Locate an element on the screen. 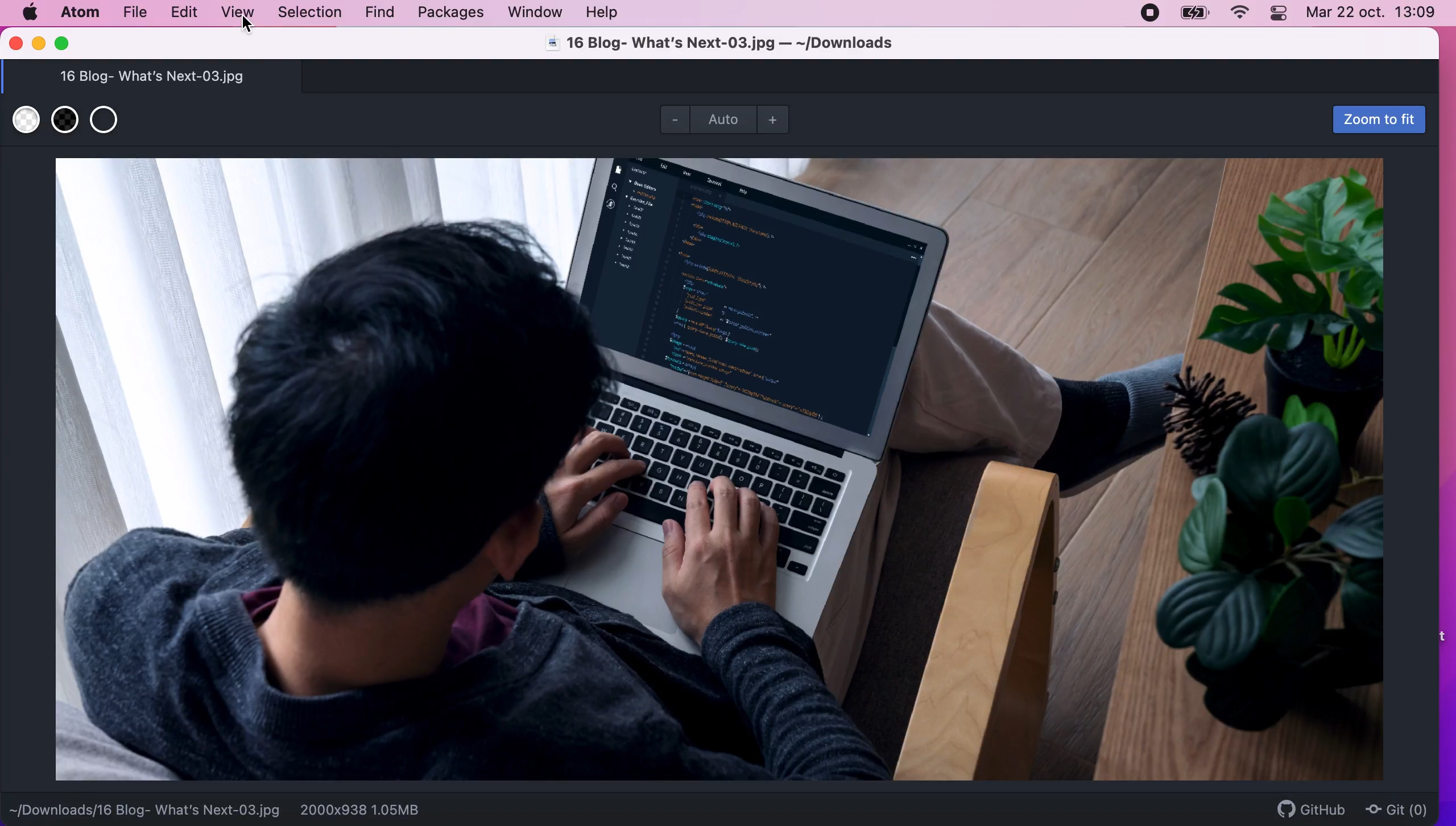  selection is located at coordinates (309, 13).